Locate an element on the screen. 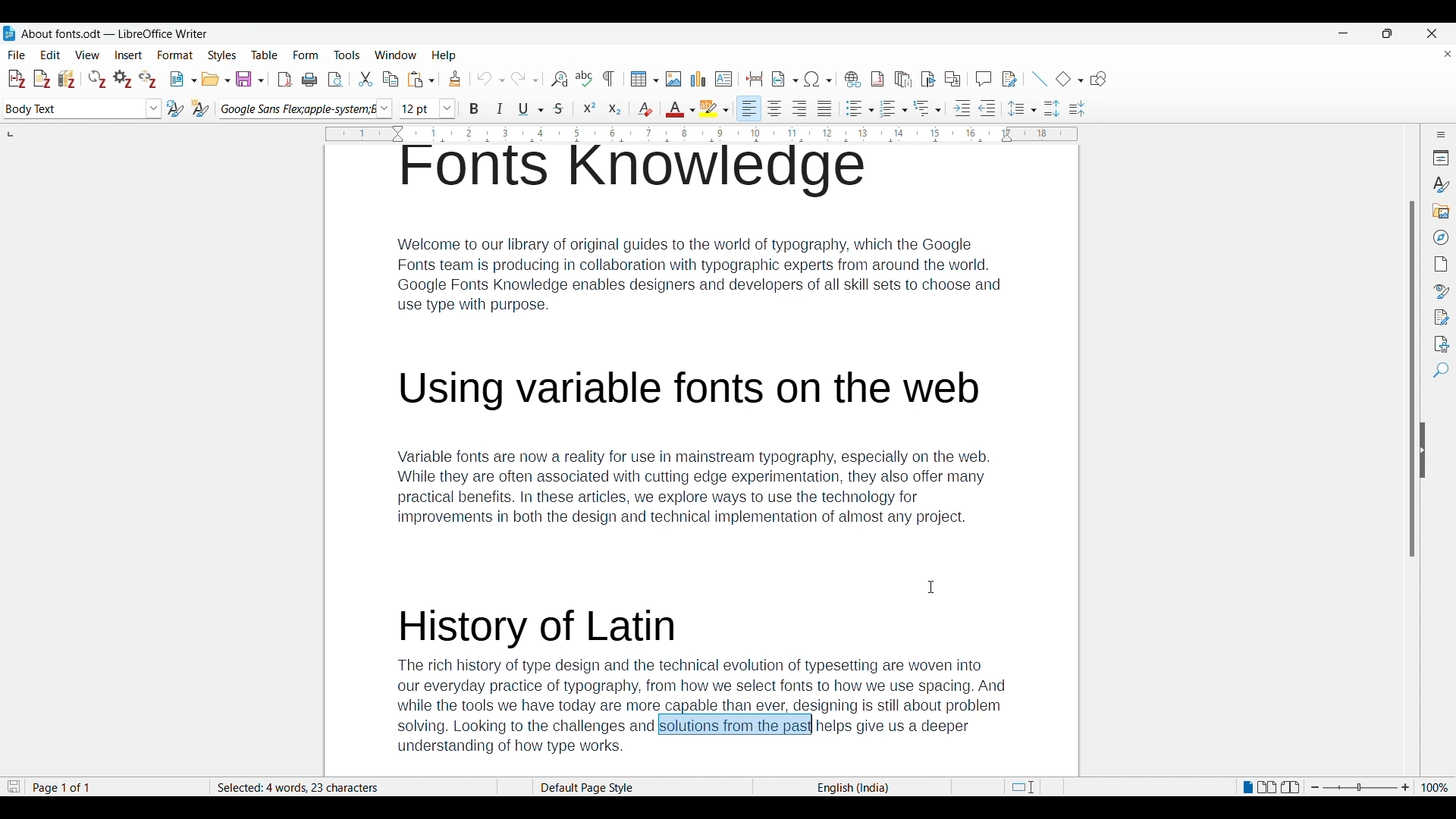  Table menu is located at coordinates (265, 55).